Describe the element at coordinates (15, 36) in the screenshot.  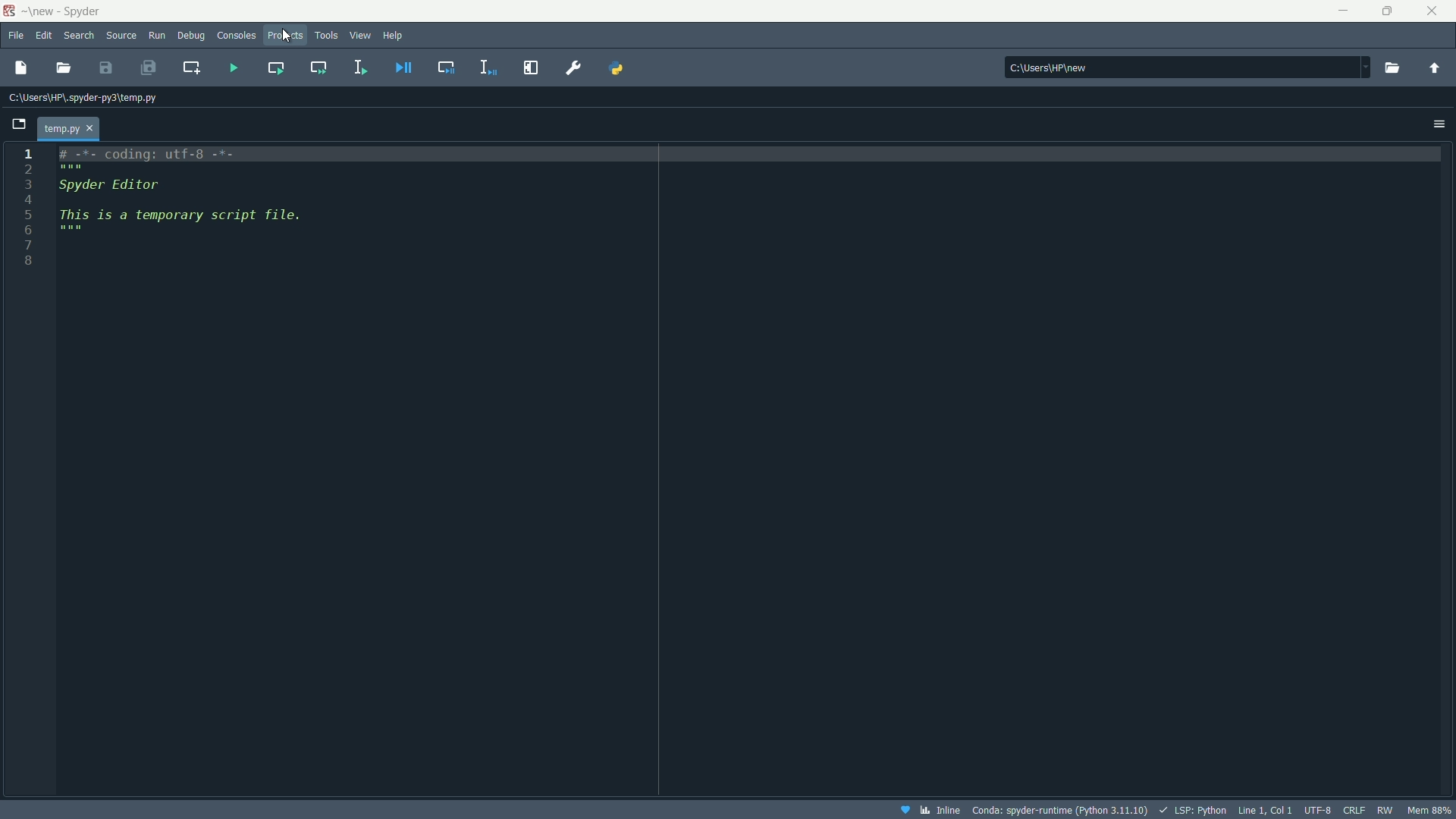
I see `File menu` at that location.